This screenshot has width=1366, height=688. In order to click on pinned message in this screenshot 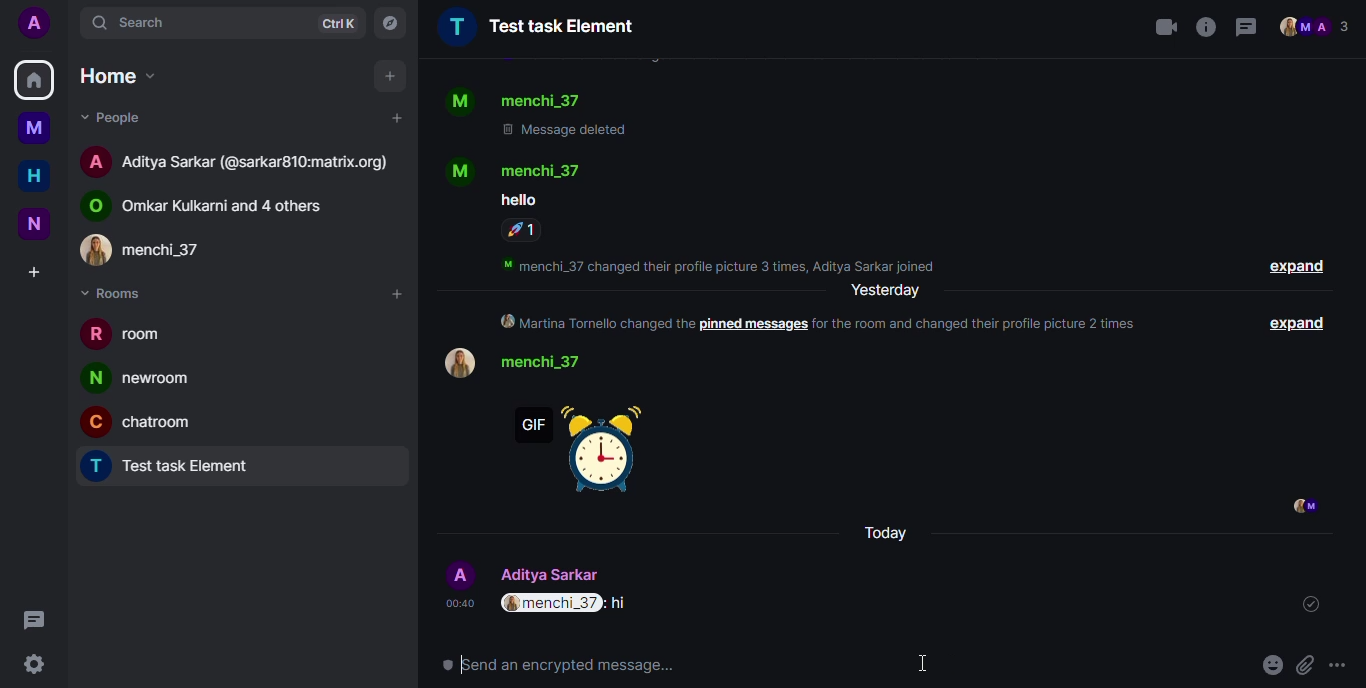, I will do `click(754, 325)`.